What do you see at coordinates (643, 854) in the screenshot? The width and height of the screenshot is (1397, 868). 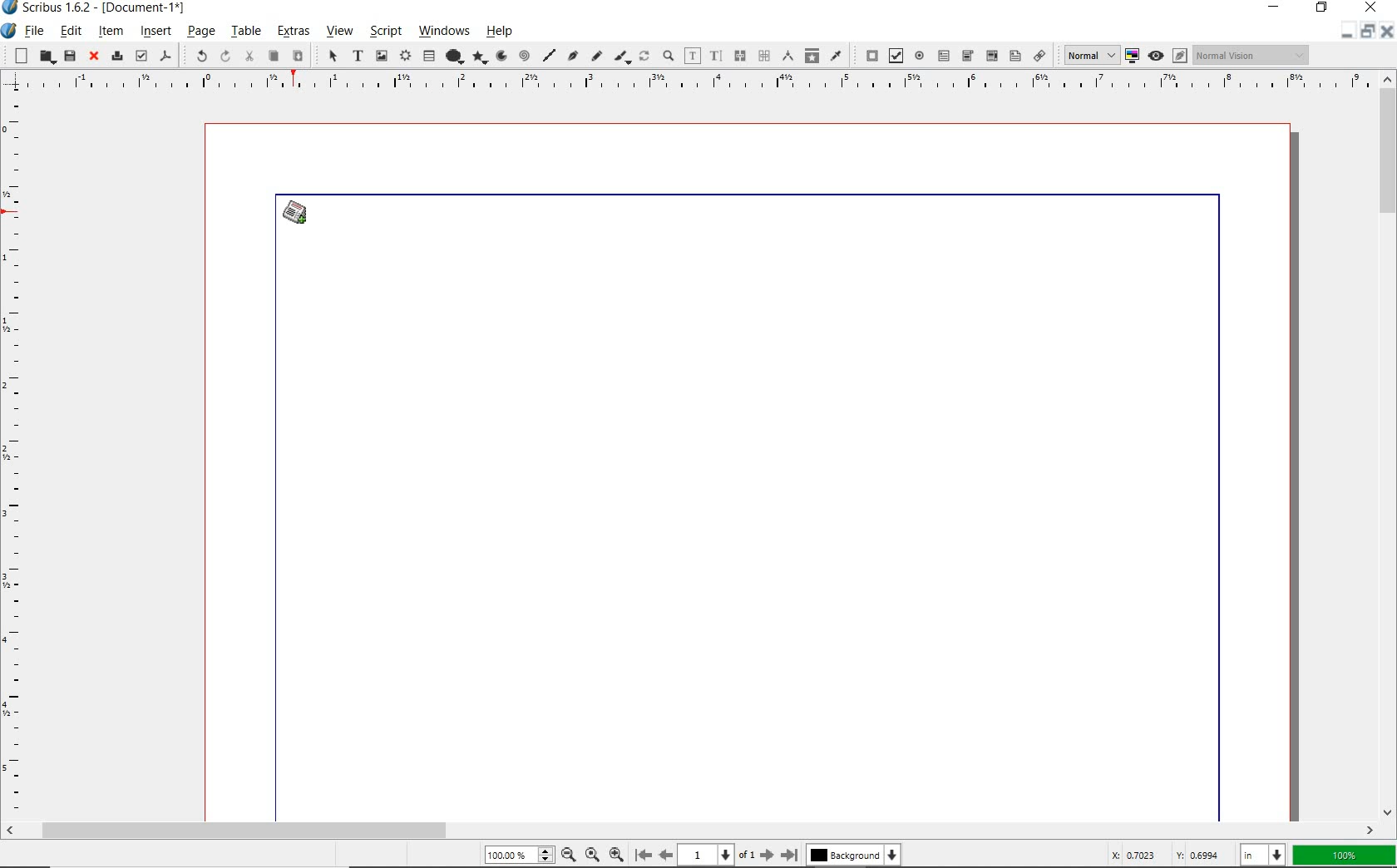 I see `First Page` at bounding box center [643, 854].